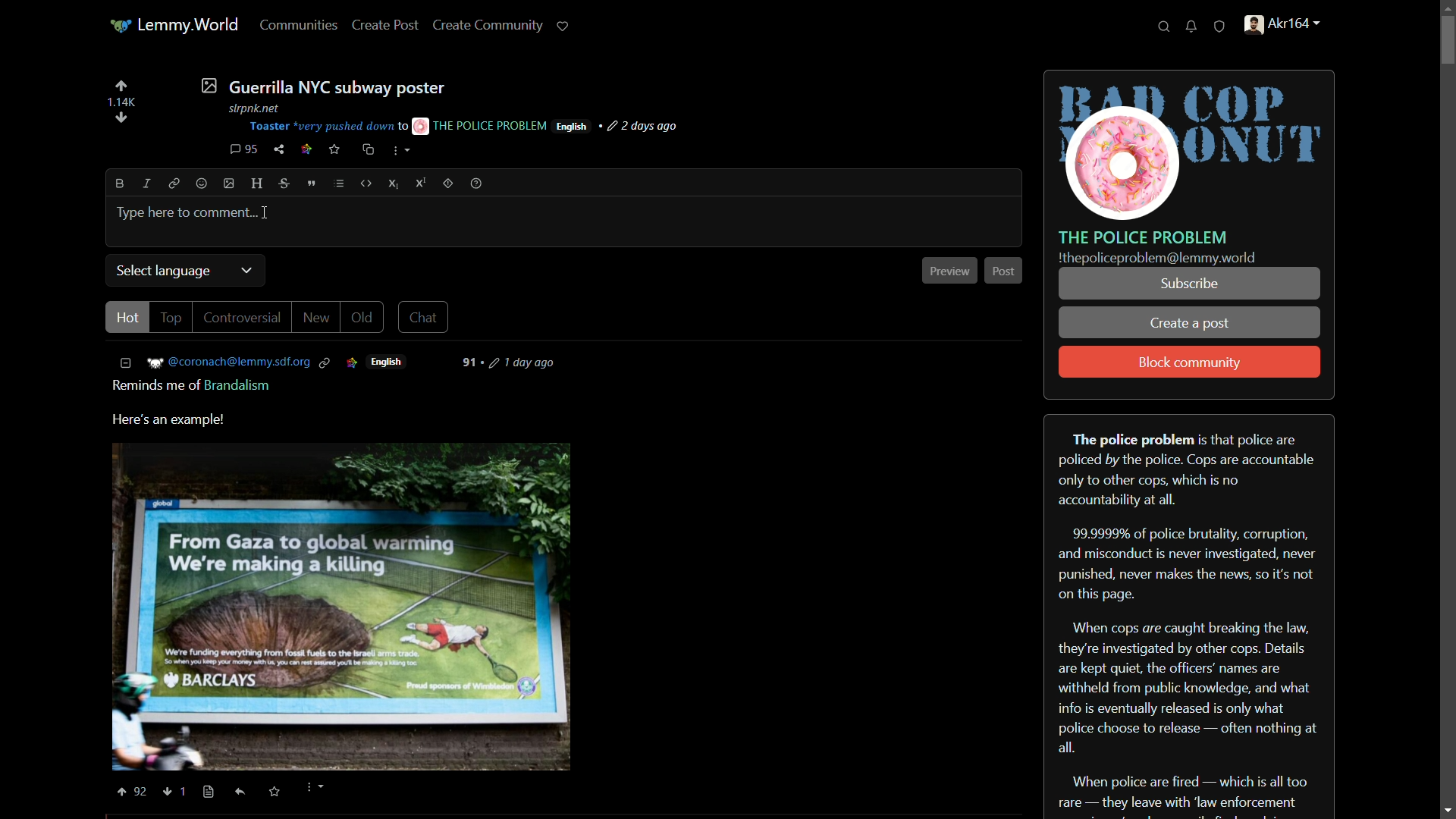 The width and height of the screenshot is (1456, 819). Describe the element at coordinates (165, 271) in the screenshot. I see `select language` at that location.